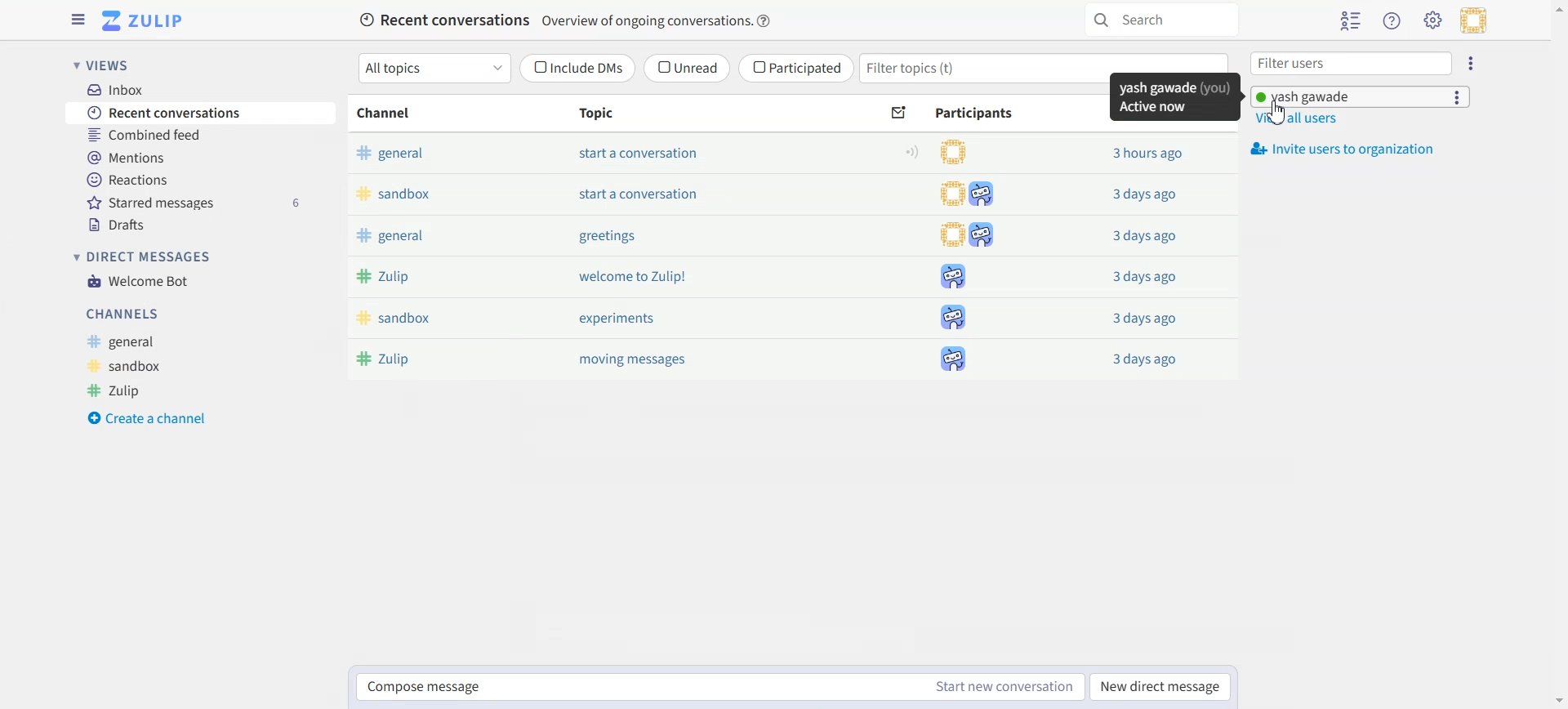  What do you see at coordinates (954, 319) in the screenshot?
I see `participants` at bounding box center [954, 319].